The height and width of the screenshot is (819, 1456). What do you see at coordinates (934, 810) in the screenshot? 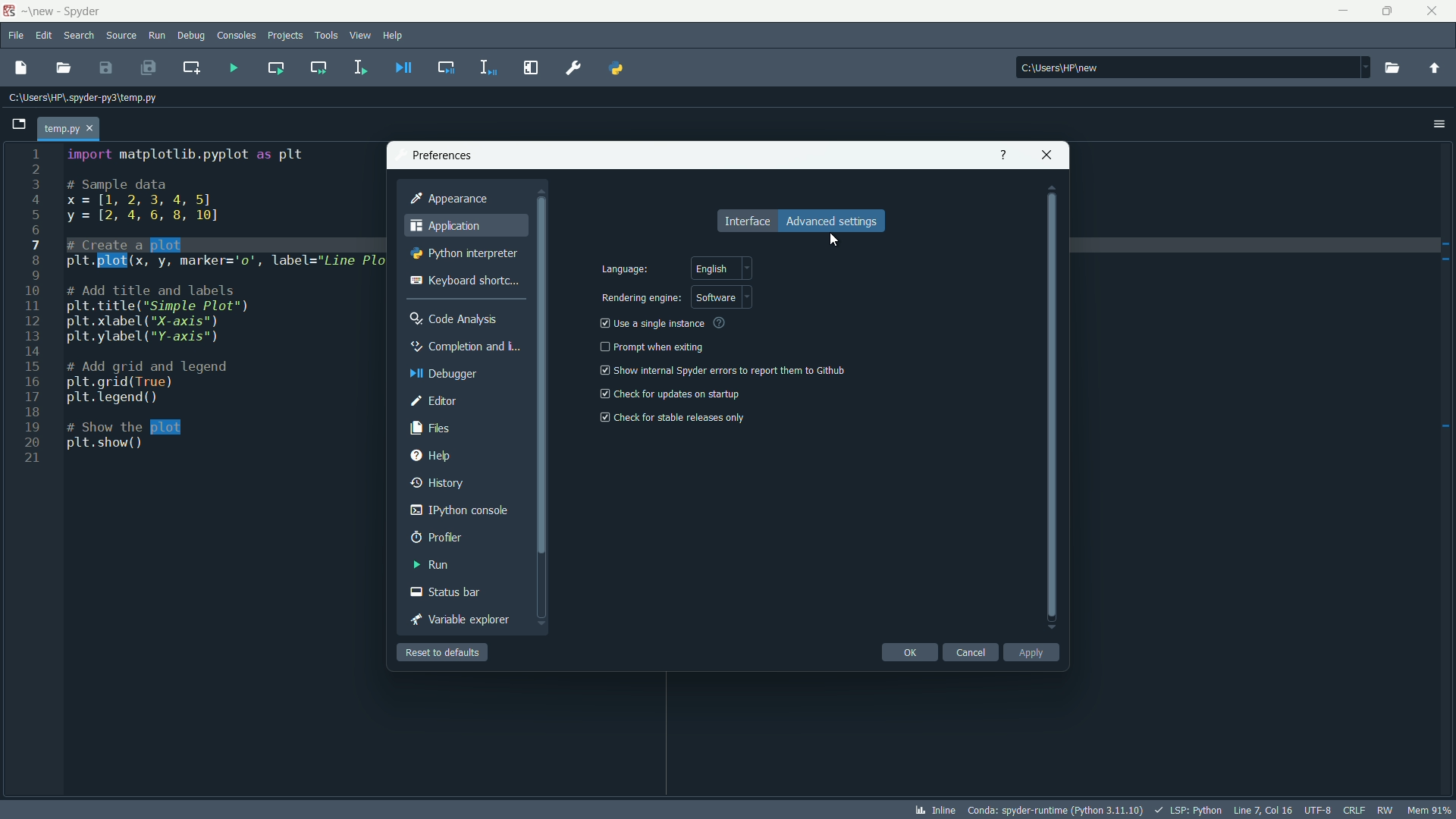
I see `inline` at bounding box center [934, 810].